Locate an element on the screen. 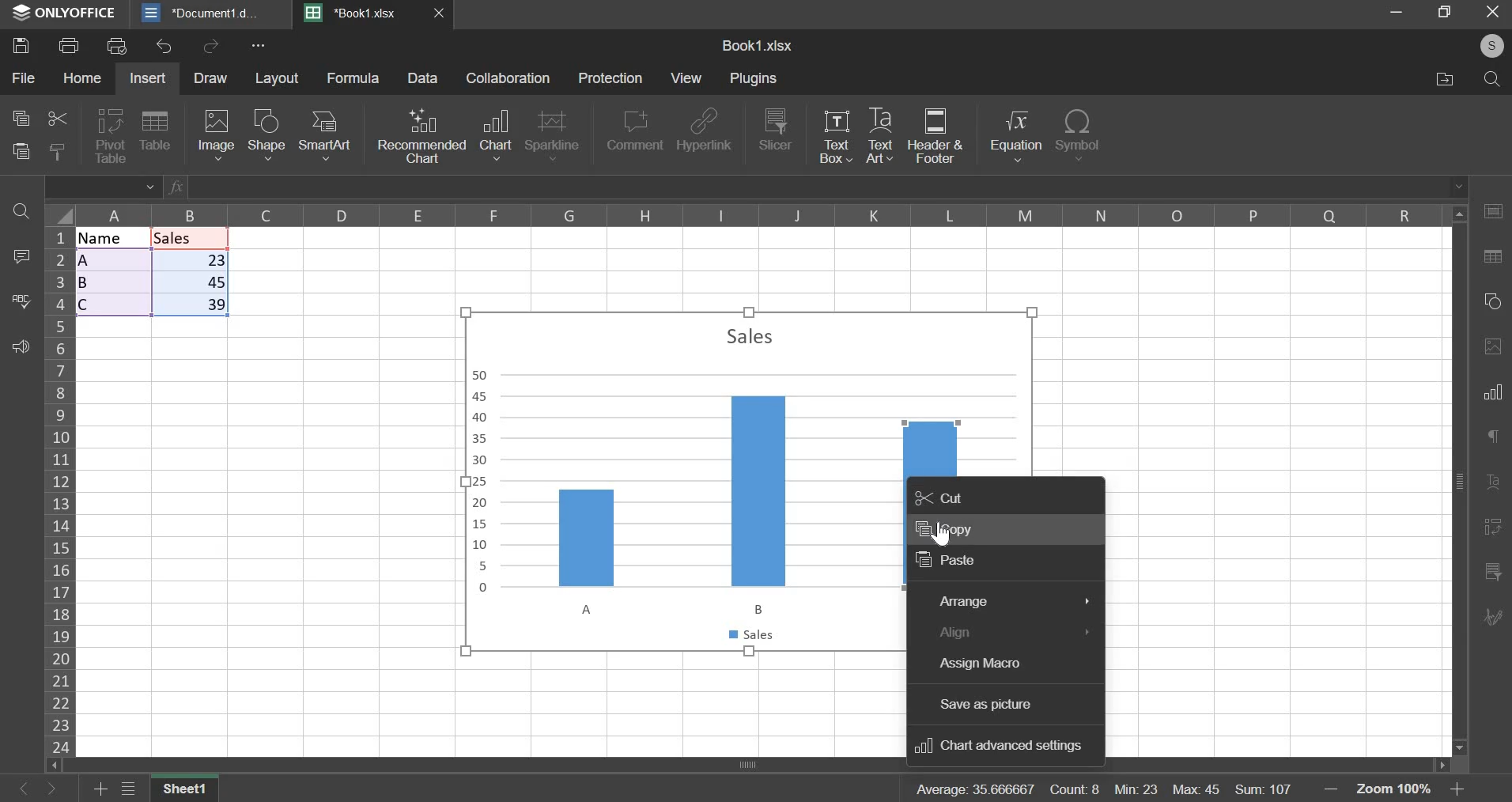  feedback is located at coordinates (20, 346).